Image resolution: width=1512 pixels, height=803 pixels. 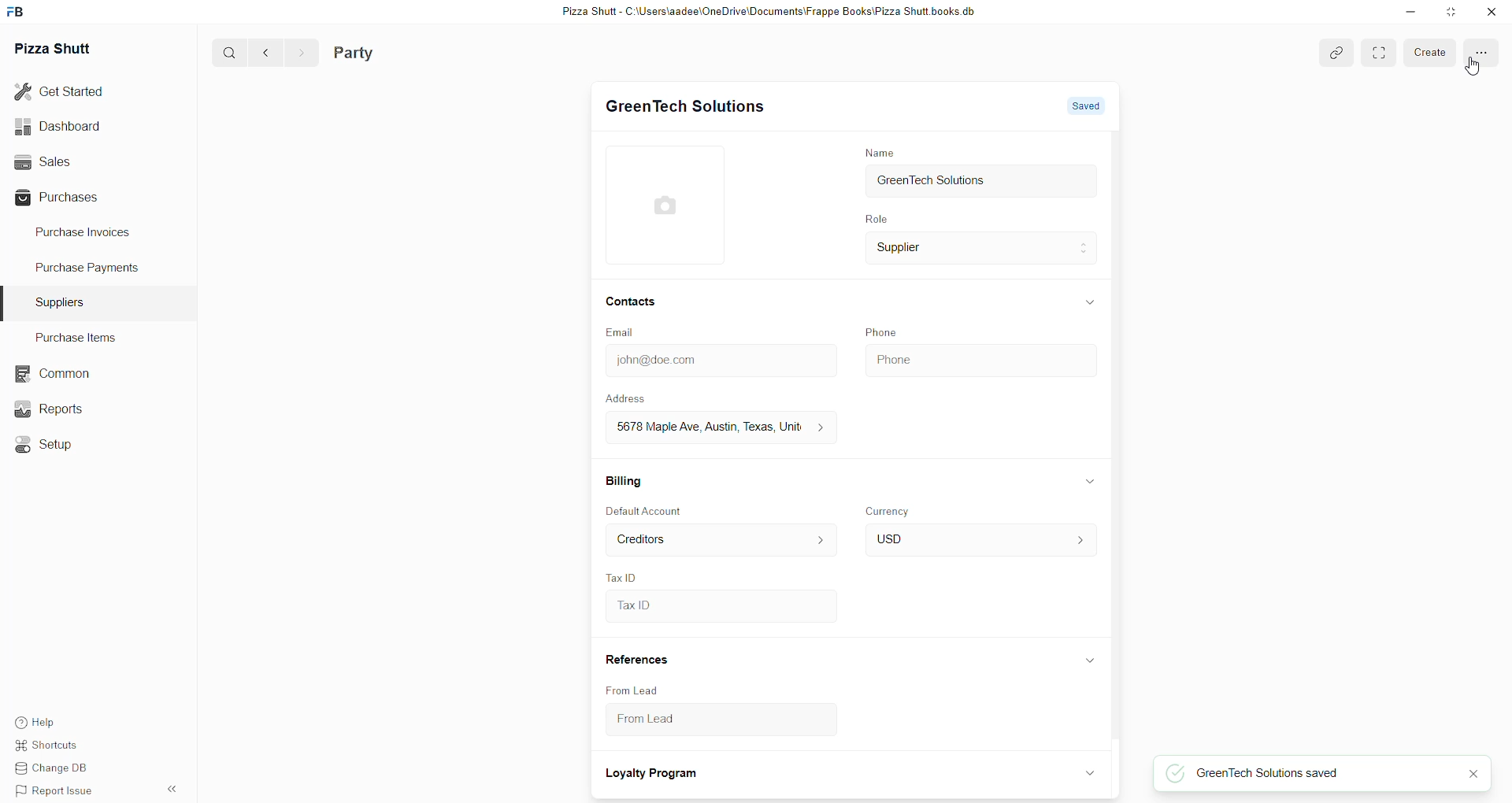 What do you see at coordinates (1334, 51) in the screenshot?
I see `link` at bounding box center [1334, 51].